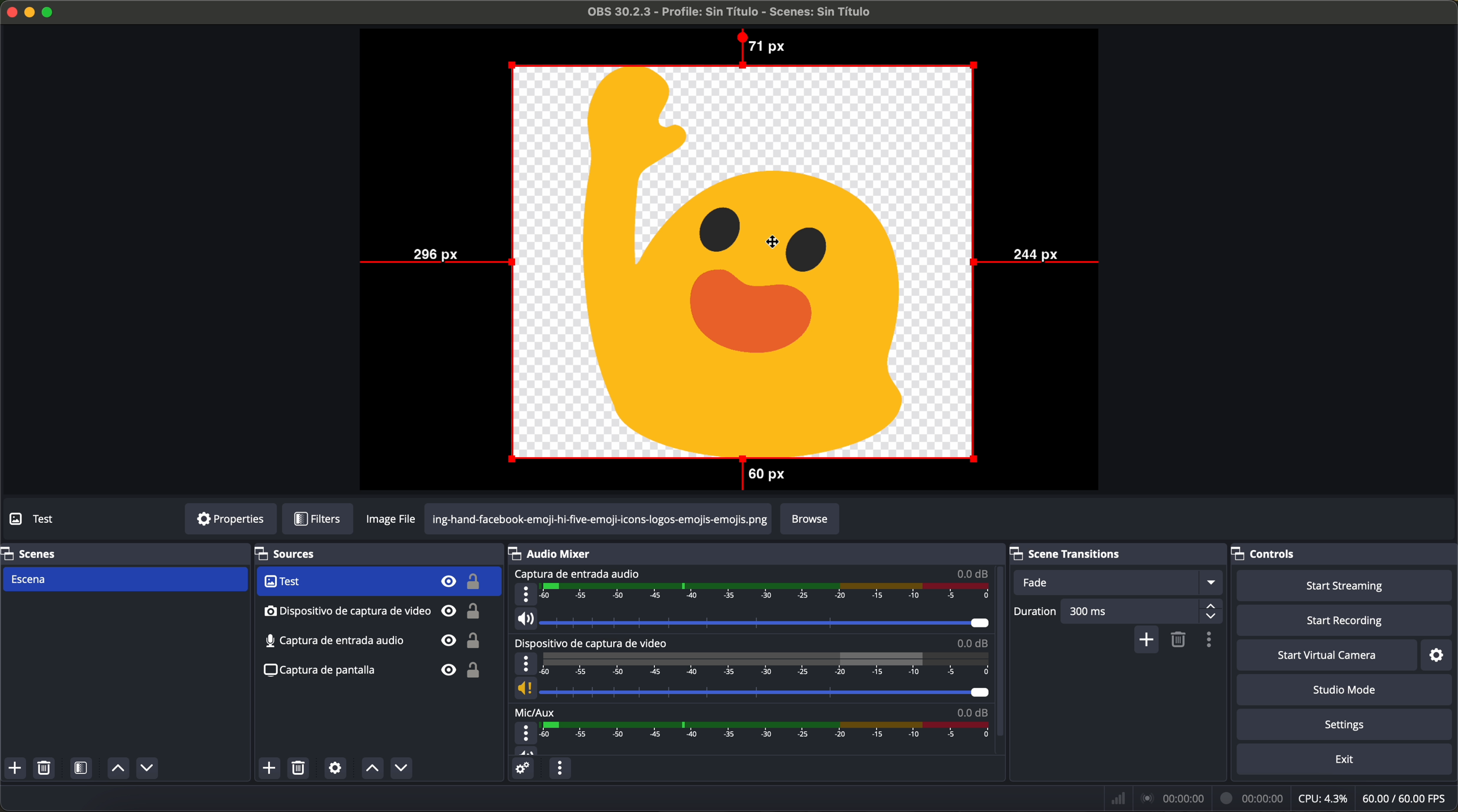 Image resolution: width=1458 pixels, height=812 pixels. What do you see at coordinates (1036, 613) in the screenshot?
I see `duration` at bounding box center [1036, 613].